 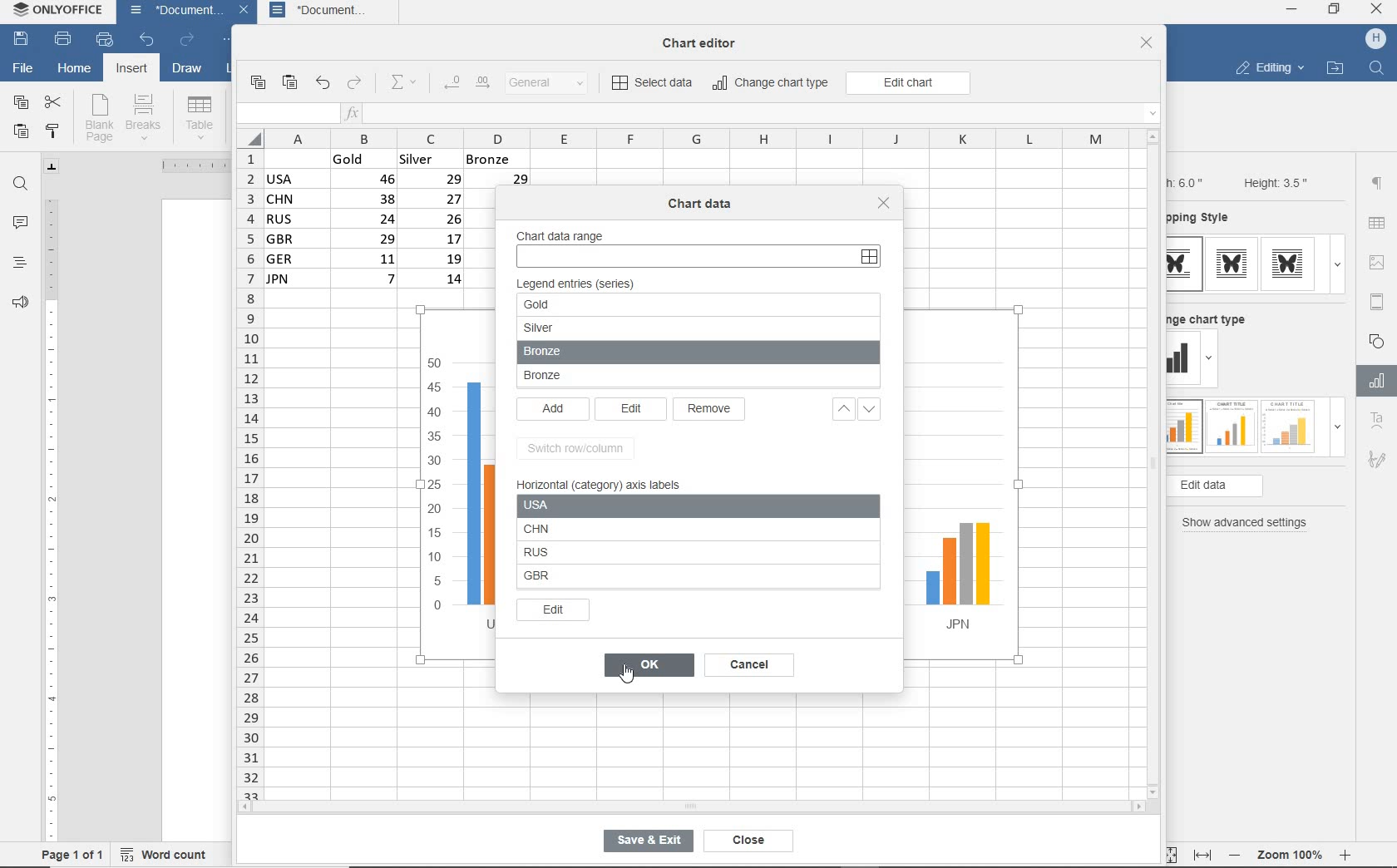 What do you see at coordinates (18, 306) in the screenshot?
I see `feedback & support` at bounding box center [18, 306].